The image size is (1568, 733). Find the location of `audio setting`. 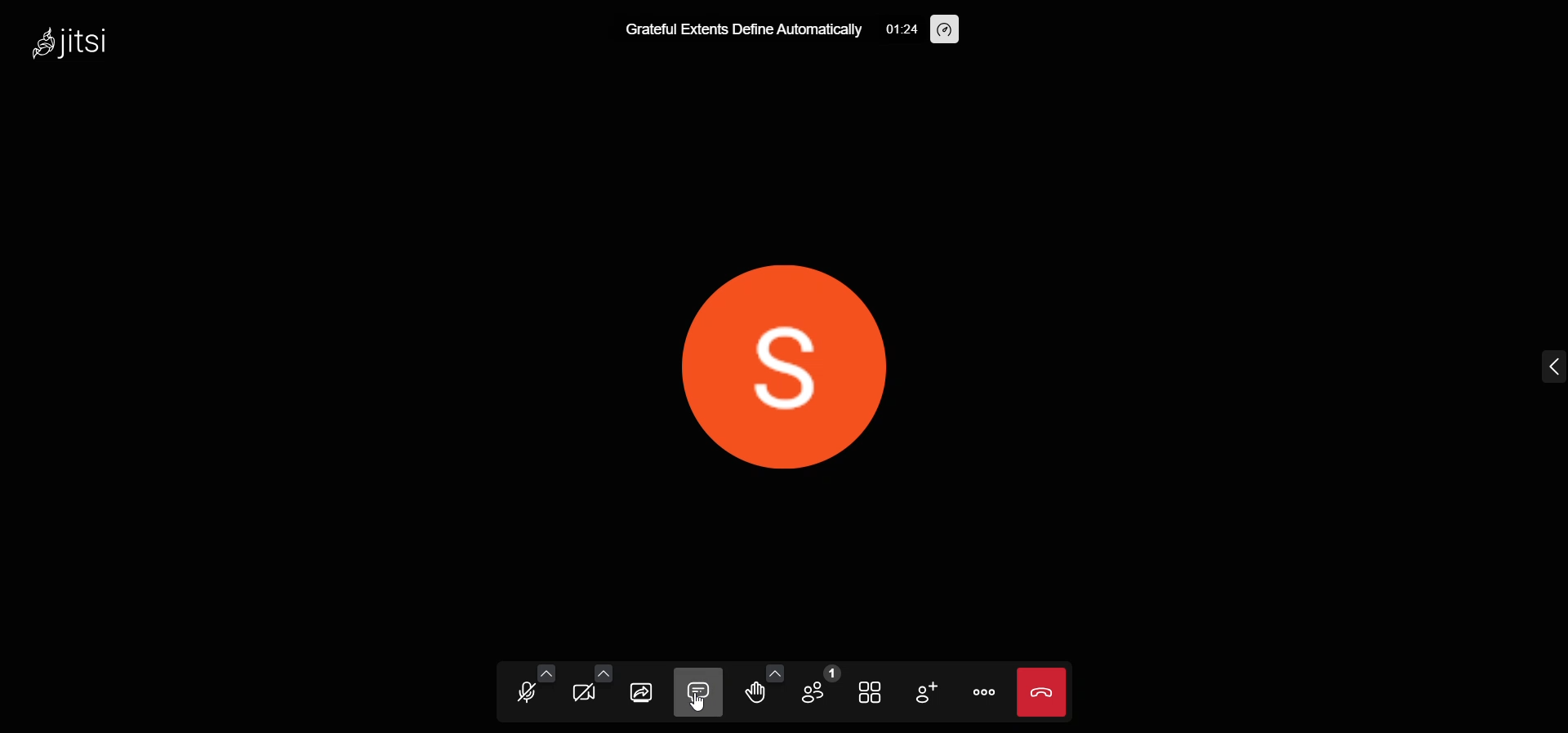

audio setting is located at coordinates (537, 672).